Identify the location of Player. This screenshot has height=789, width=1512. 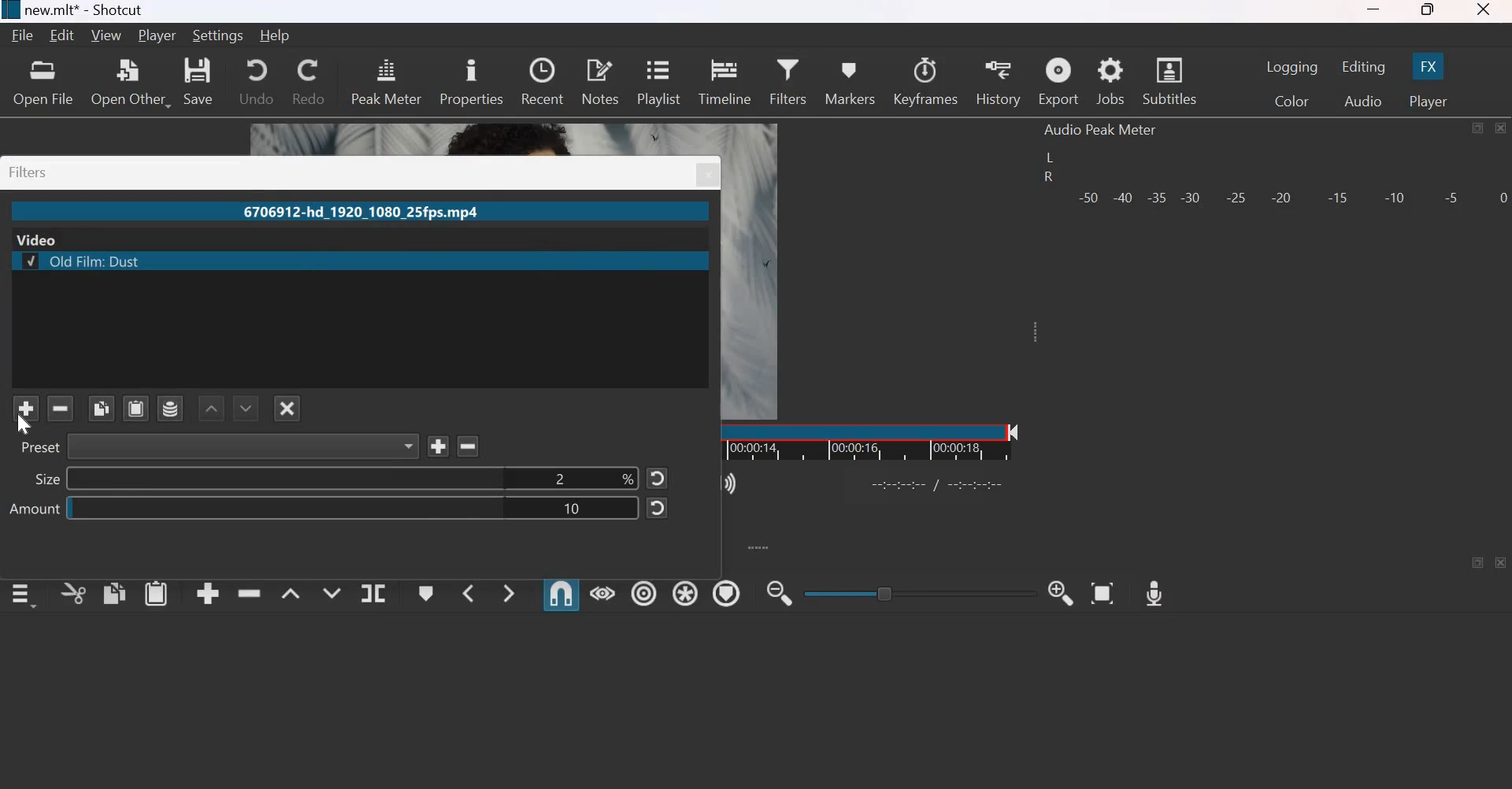
(1429, 99).